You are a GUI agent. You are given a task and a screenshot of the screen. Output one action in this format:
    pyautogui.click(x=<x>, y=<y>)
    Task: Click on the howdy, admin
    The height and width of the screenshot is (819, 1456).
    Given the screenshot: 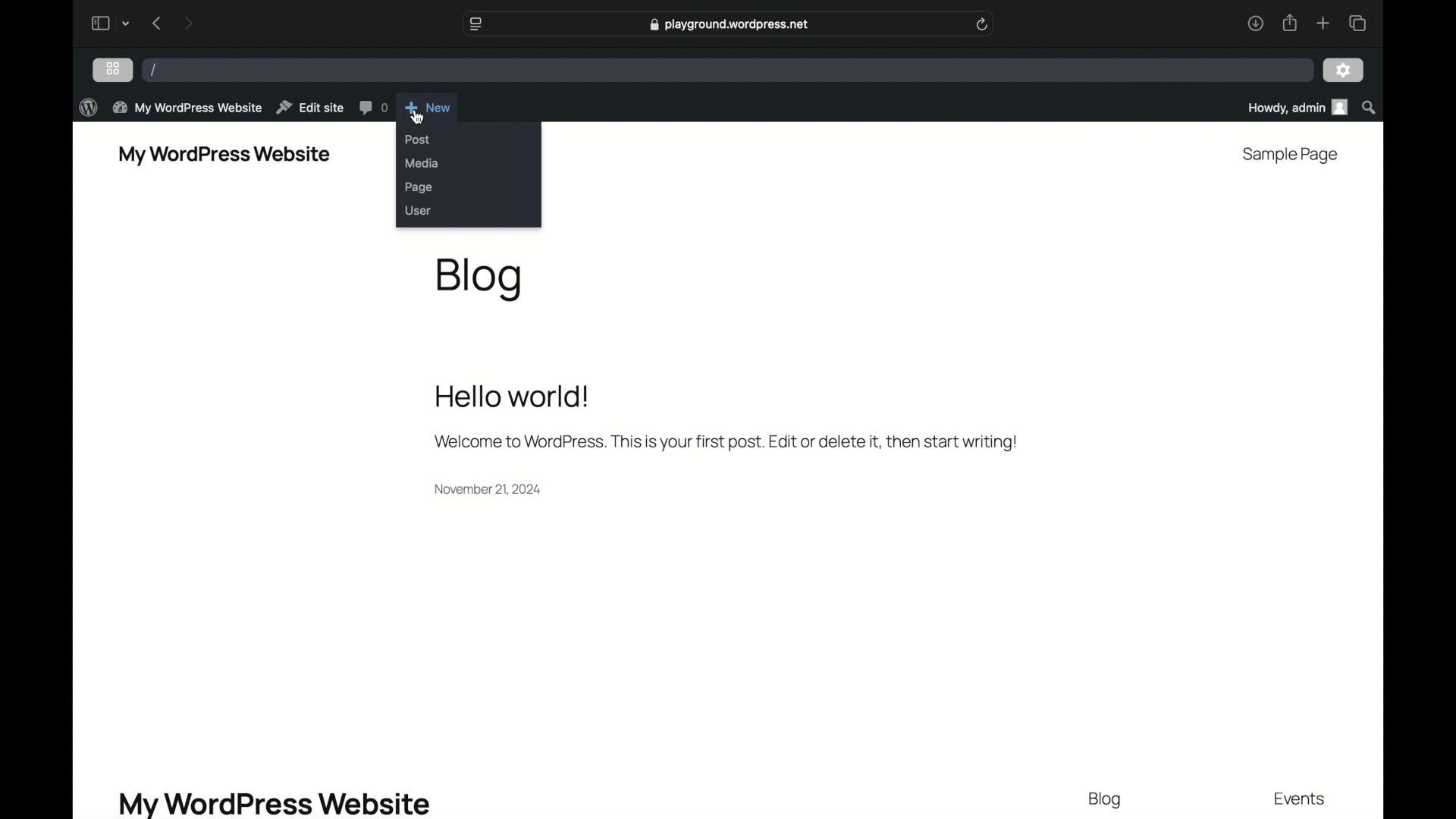 What is the action you would take?
    pyautogui.click(x=1297, y=108)
    